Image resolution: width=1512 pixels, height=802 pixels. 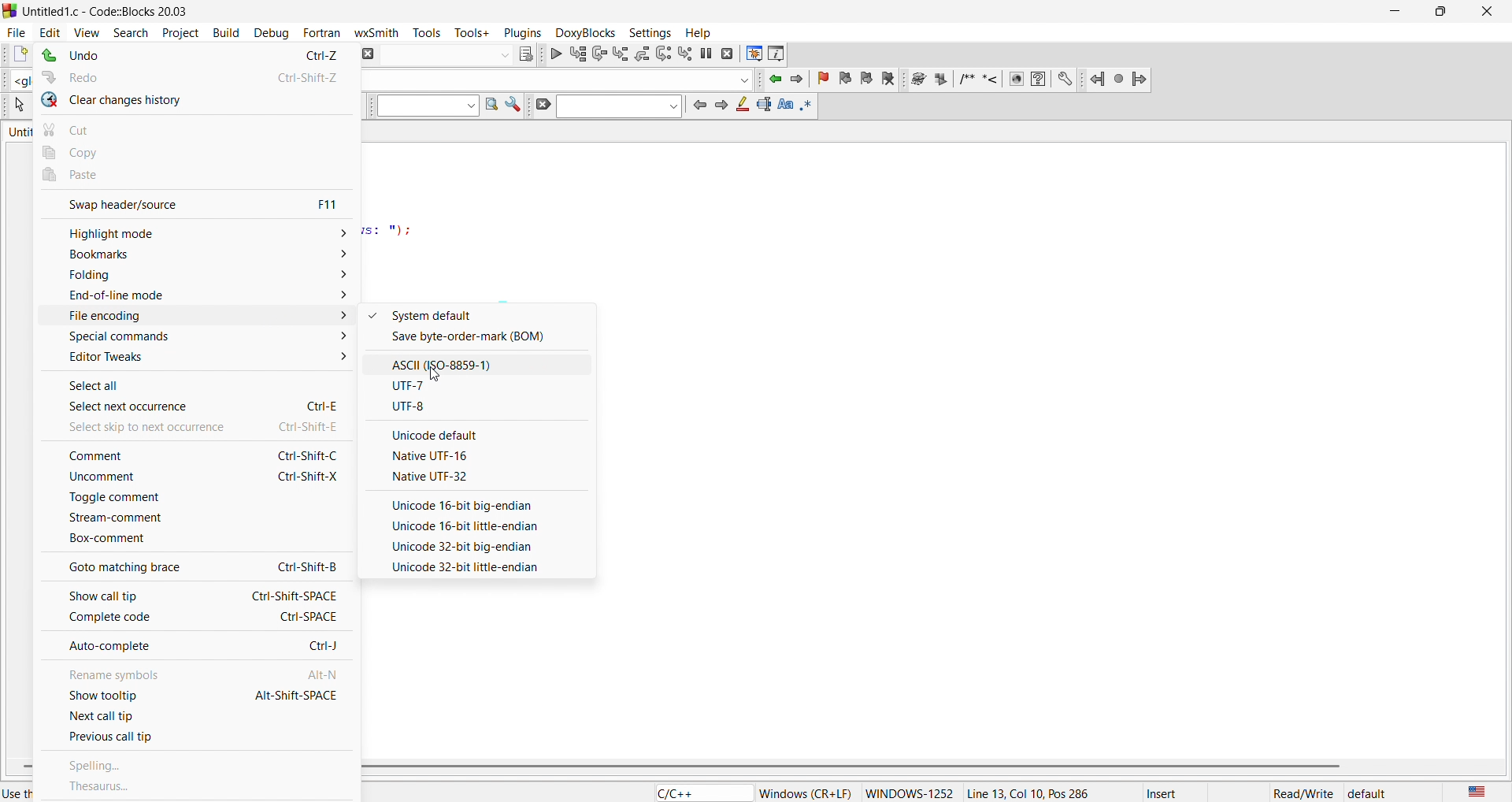 What do you see at coordinates (1303, 793) in the screenshot?
I see `Read/Write` at bounding box center [1303, 793].